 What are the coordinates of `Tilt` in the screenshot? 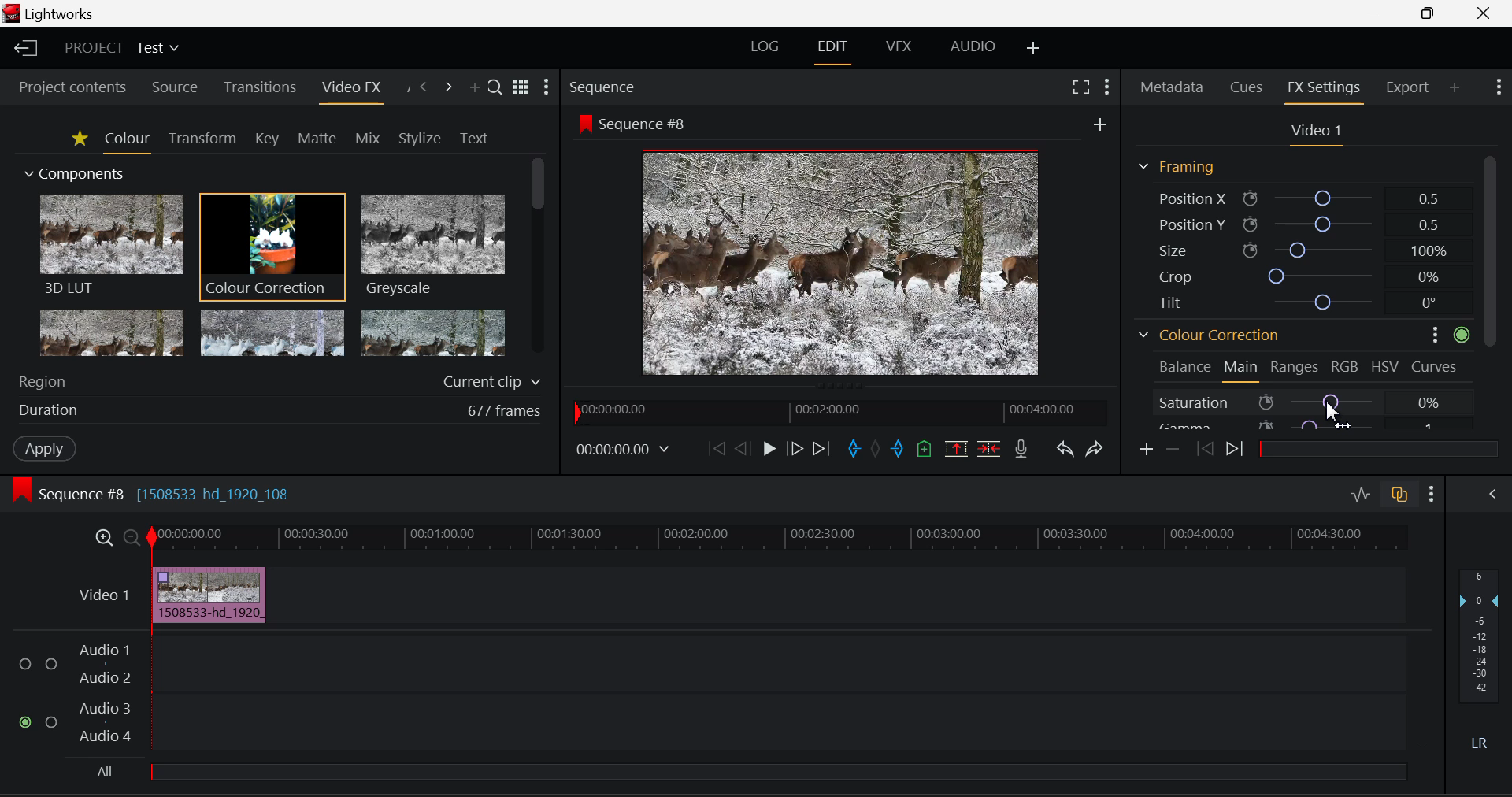 It's located at (1299, 301).